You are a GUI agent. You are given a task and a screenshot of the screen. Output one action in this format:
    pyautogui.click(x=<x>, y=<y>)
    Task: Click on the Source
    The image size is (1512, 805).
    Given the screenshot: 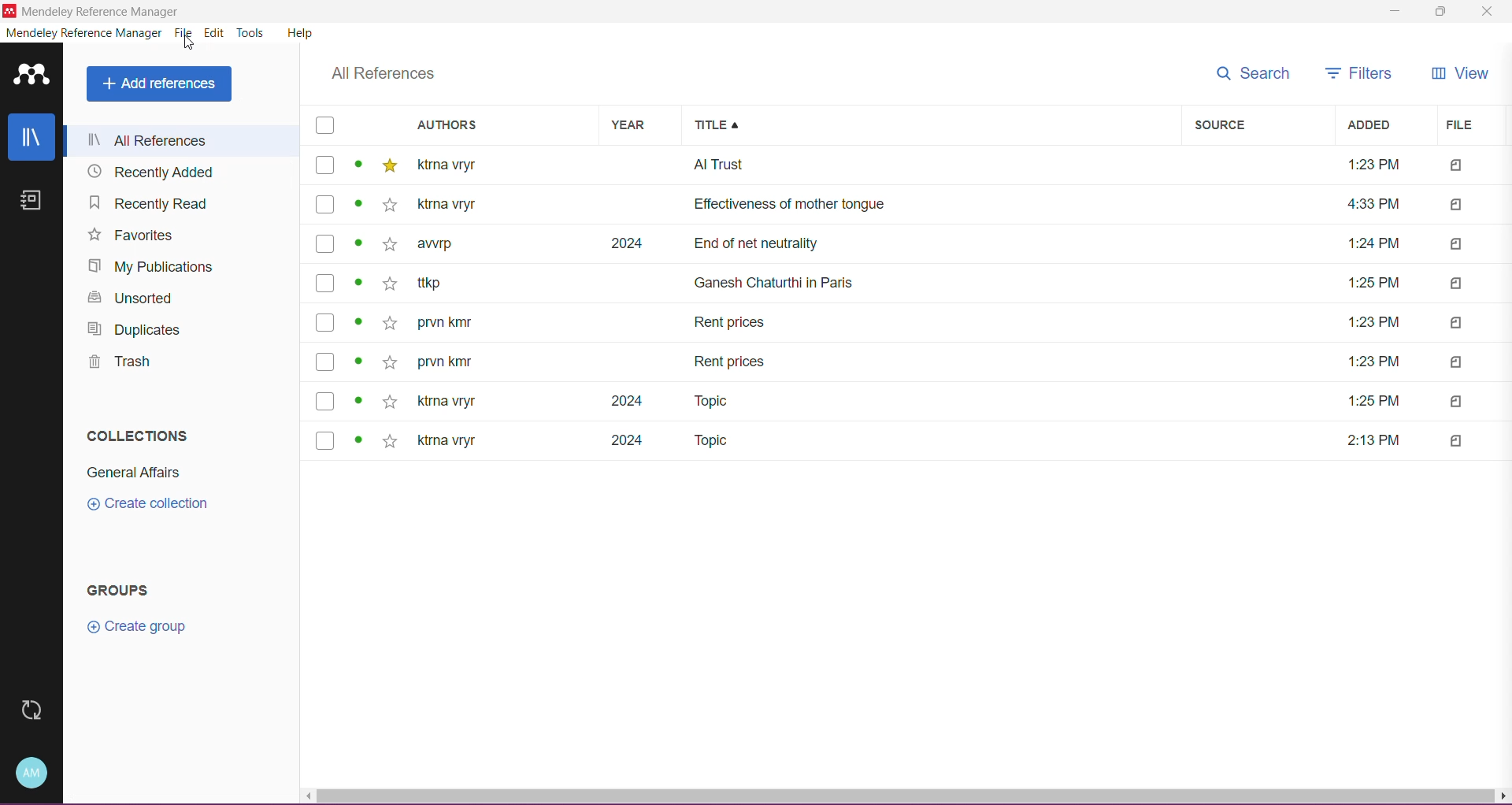 What is the action you would take?
    pyautogui.click(x=1260, y=125)
    